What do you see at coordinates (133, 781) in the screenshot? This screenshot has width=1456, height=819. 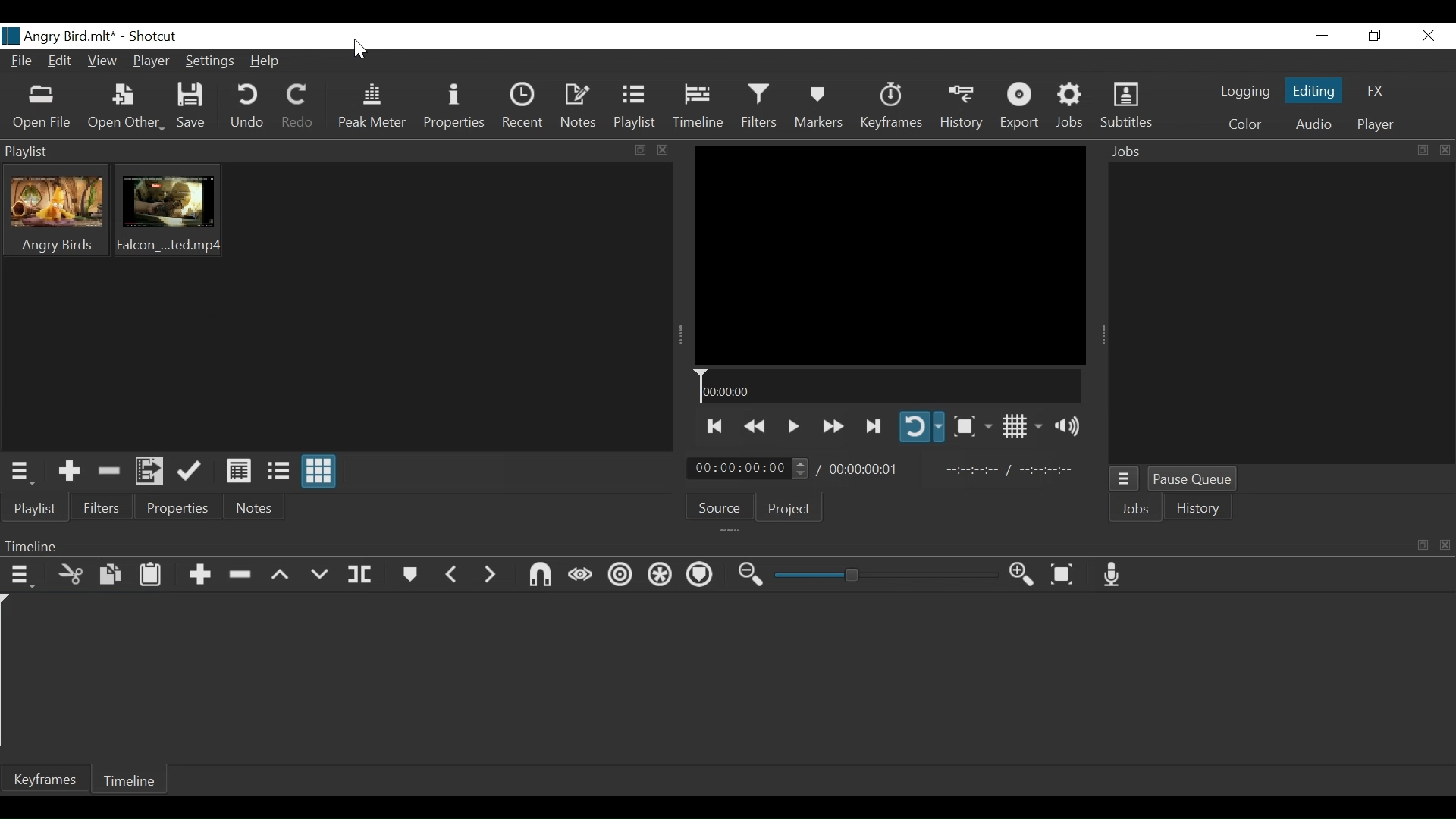 I see `Timeline` at bounding box center [133, 781].